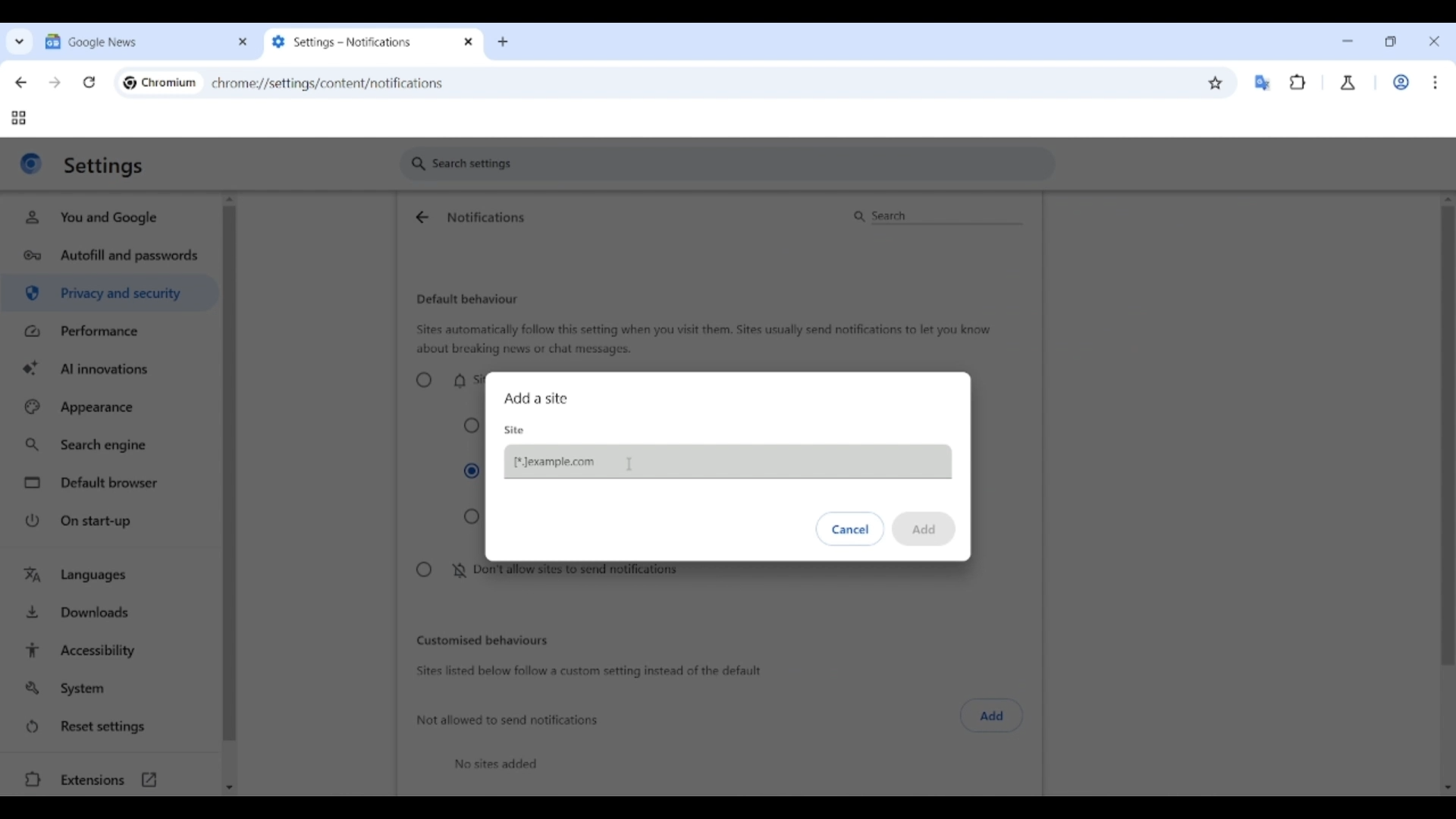 The image size is (1456, 819). Describe the element at coordinates (545, 573) in the screenshot. I see `Don't allow sites to send notifications` at that location.